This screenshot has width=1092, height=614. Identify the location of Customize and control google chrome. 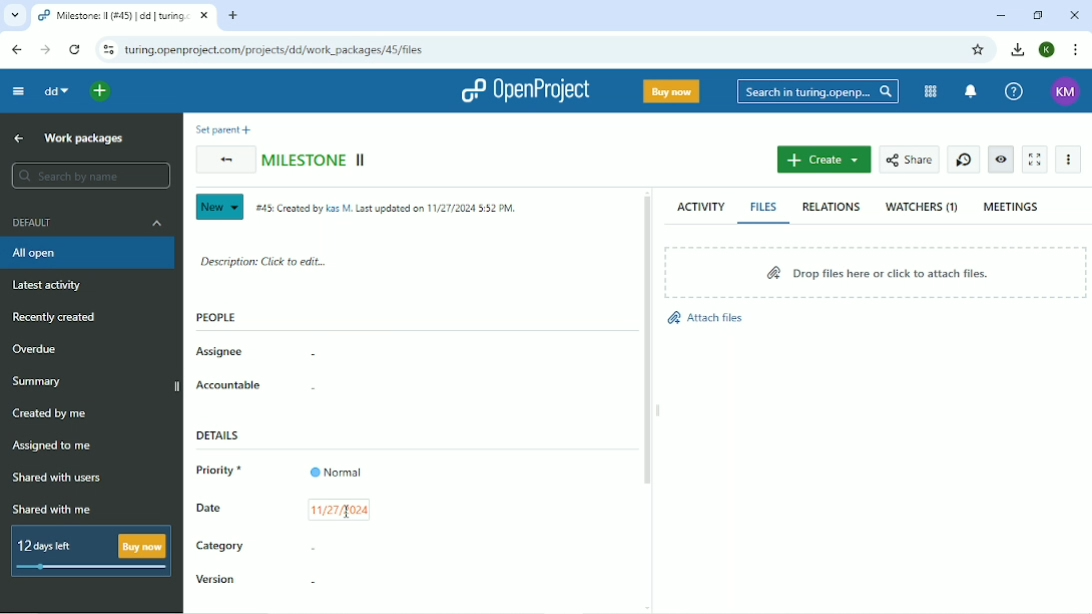
(1076, 49).